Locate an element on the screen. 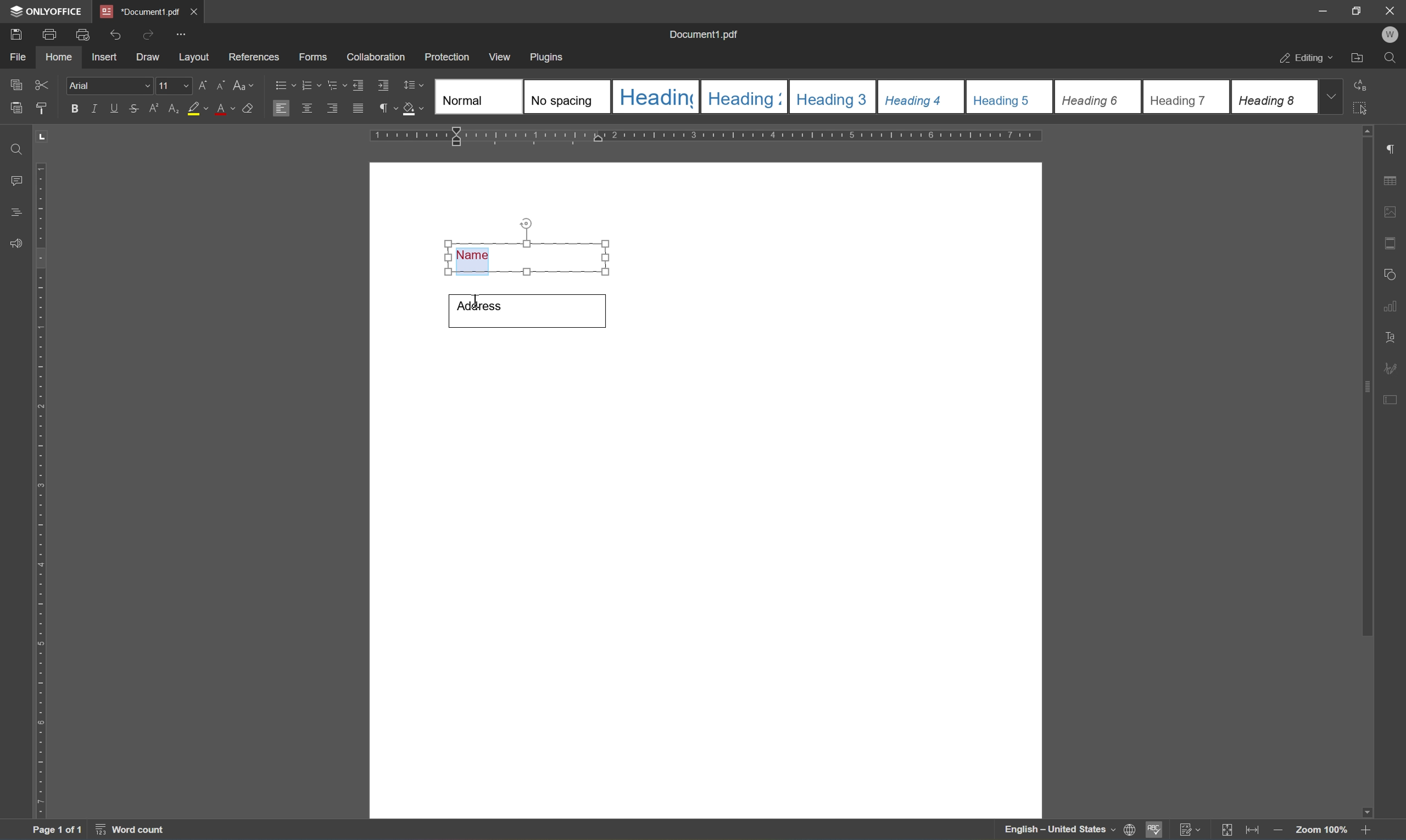  word count is located at coordinates (128, 831).